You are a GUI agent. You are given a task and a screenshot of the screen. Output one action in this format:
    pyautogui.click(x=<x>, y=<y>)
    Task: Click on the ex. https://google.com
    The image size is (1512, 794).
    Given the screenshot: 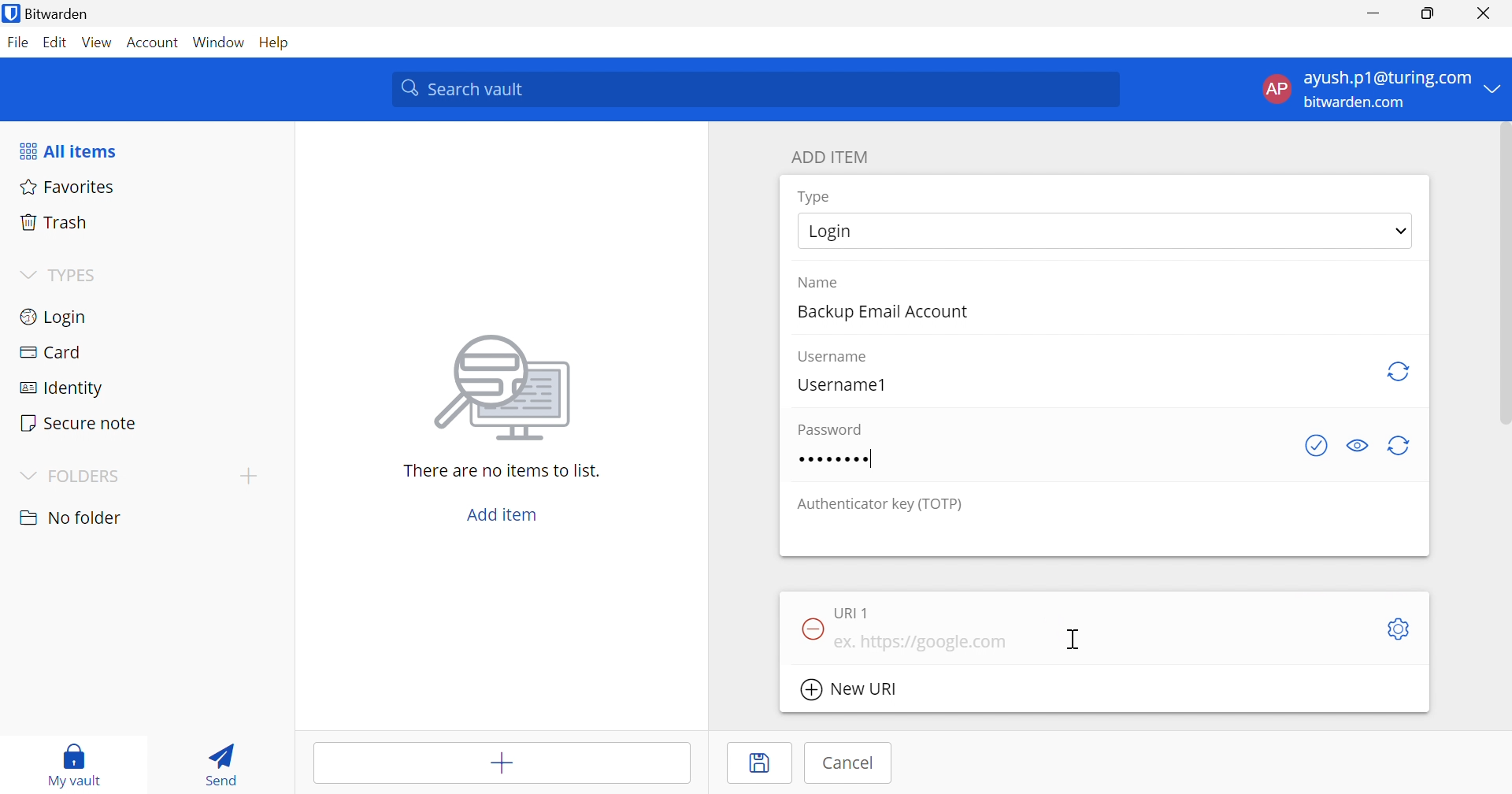 What is the action you would take?
    pyautogui.click(x=921, y=642)
    